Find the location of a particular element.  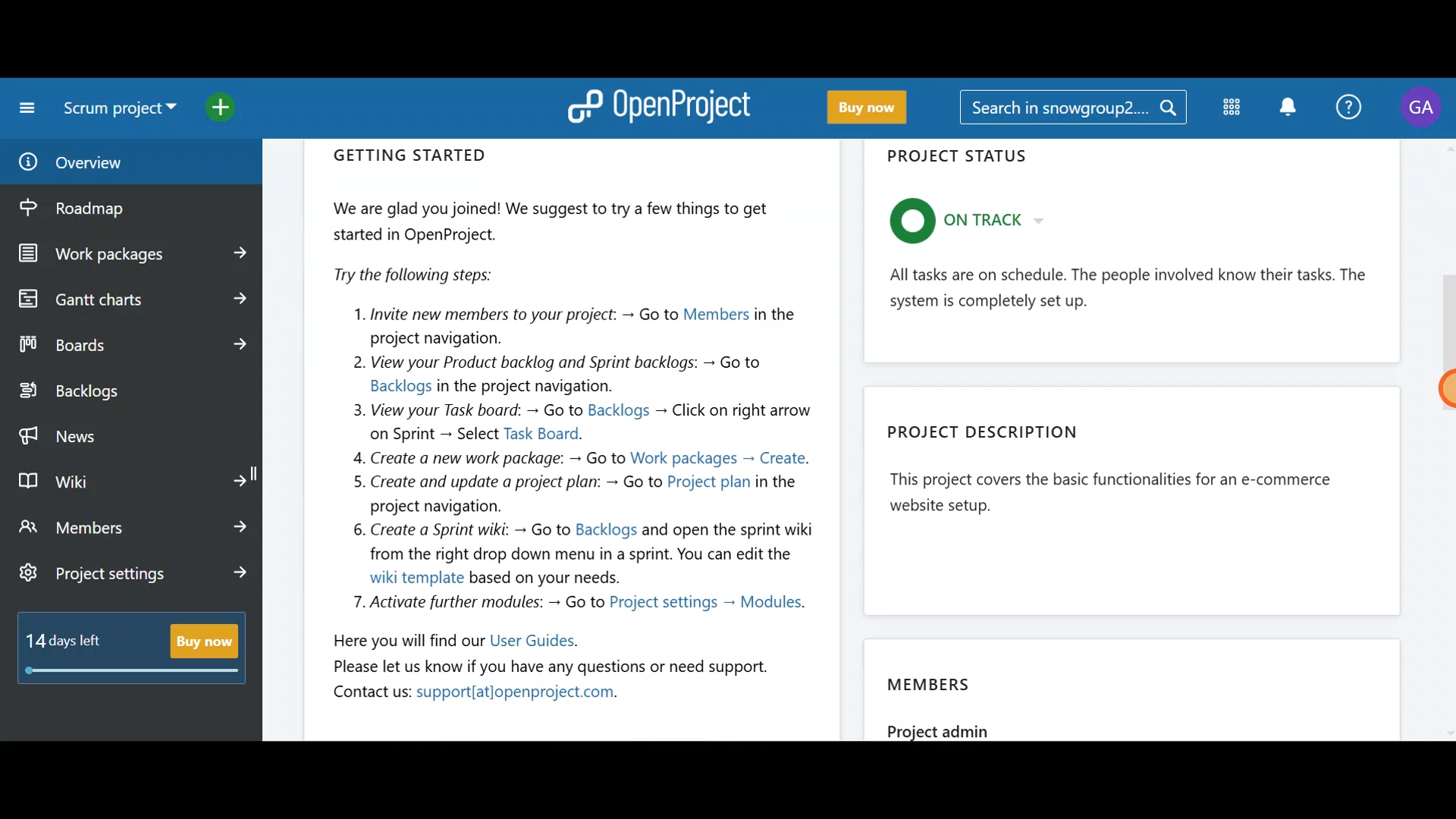

Project status is located at coordinates (1134, 256).